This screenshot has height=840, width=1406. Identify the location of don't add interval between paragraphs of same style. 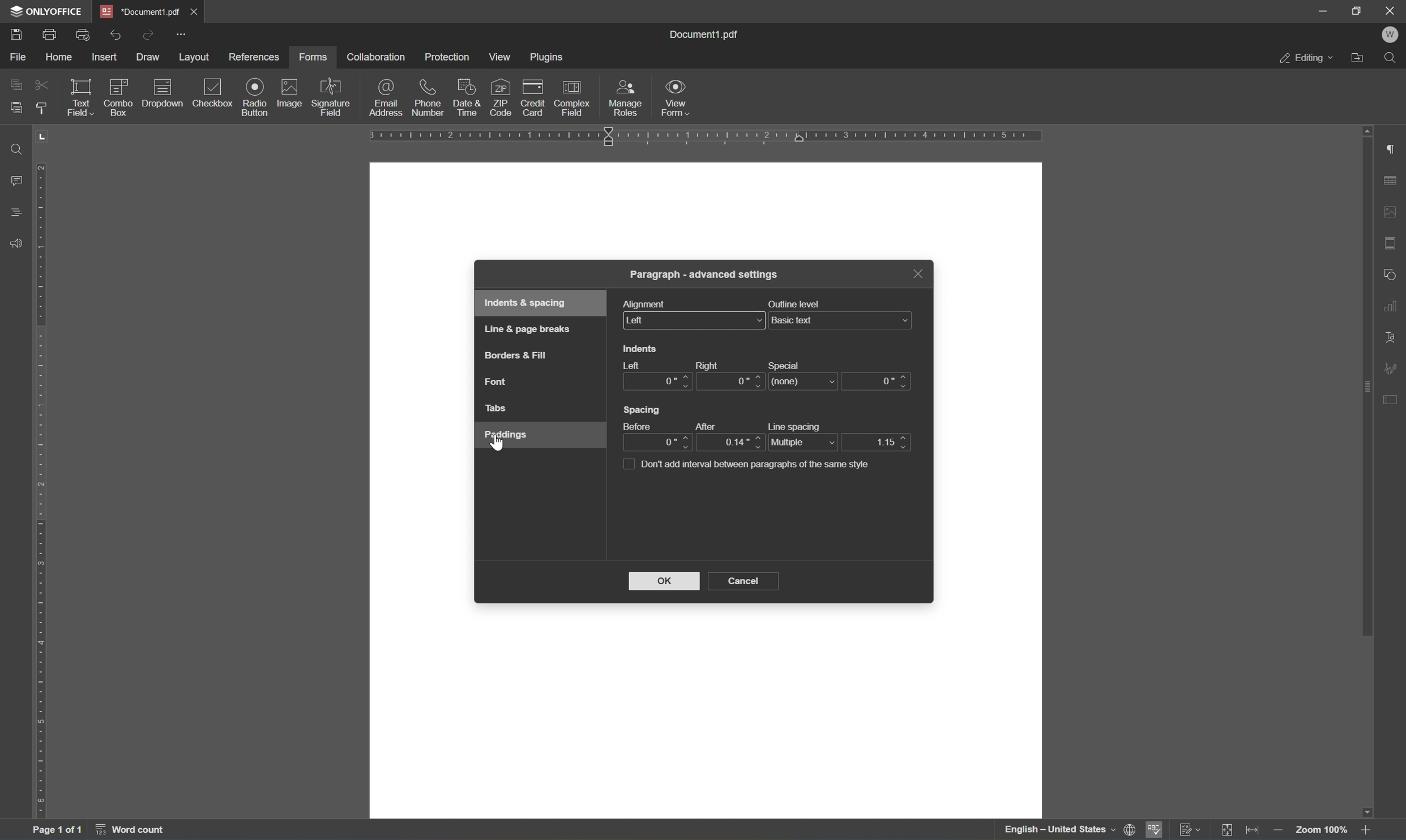
(753, 464).